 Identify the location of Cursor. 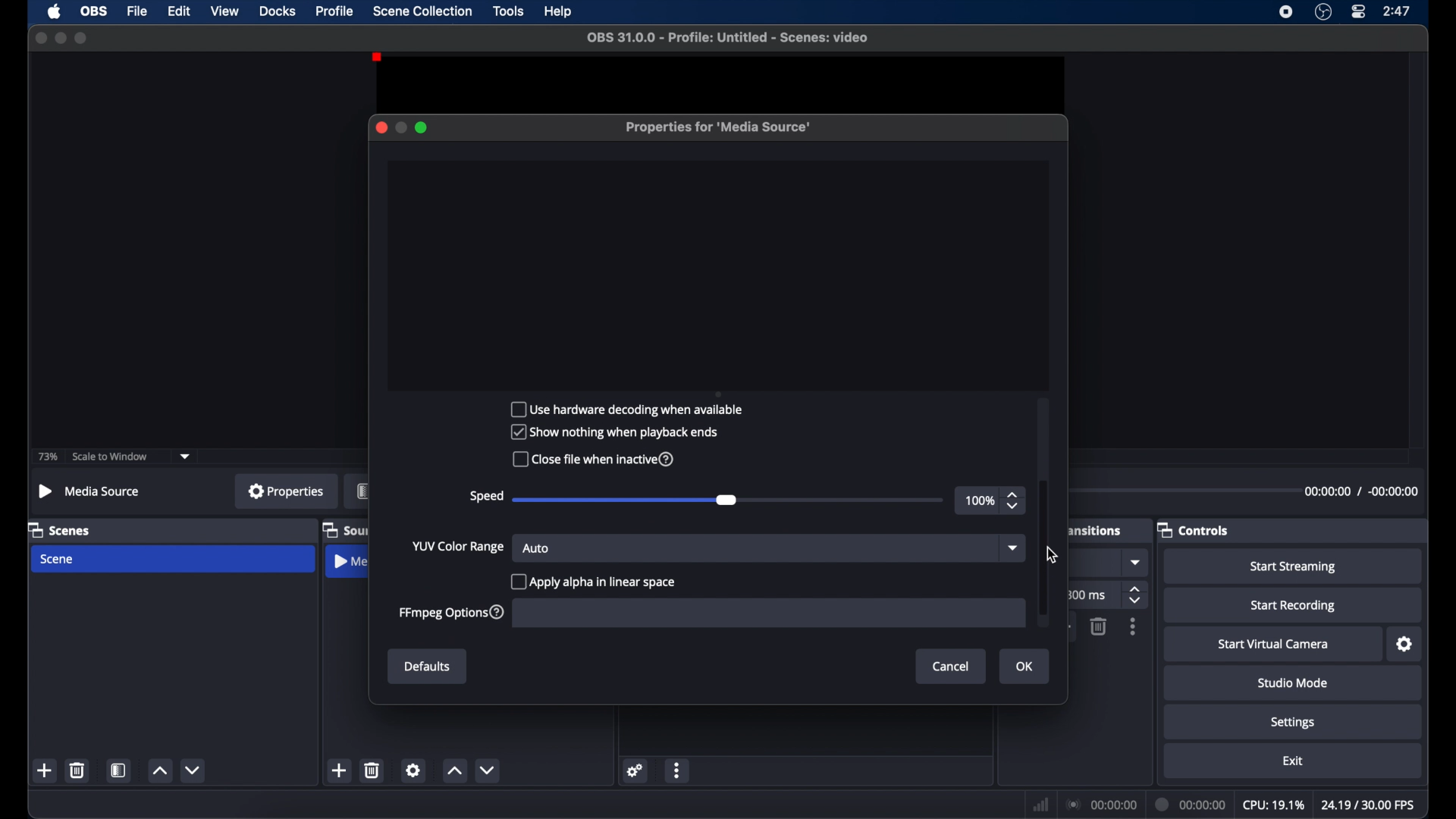
(1055, 554).